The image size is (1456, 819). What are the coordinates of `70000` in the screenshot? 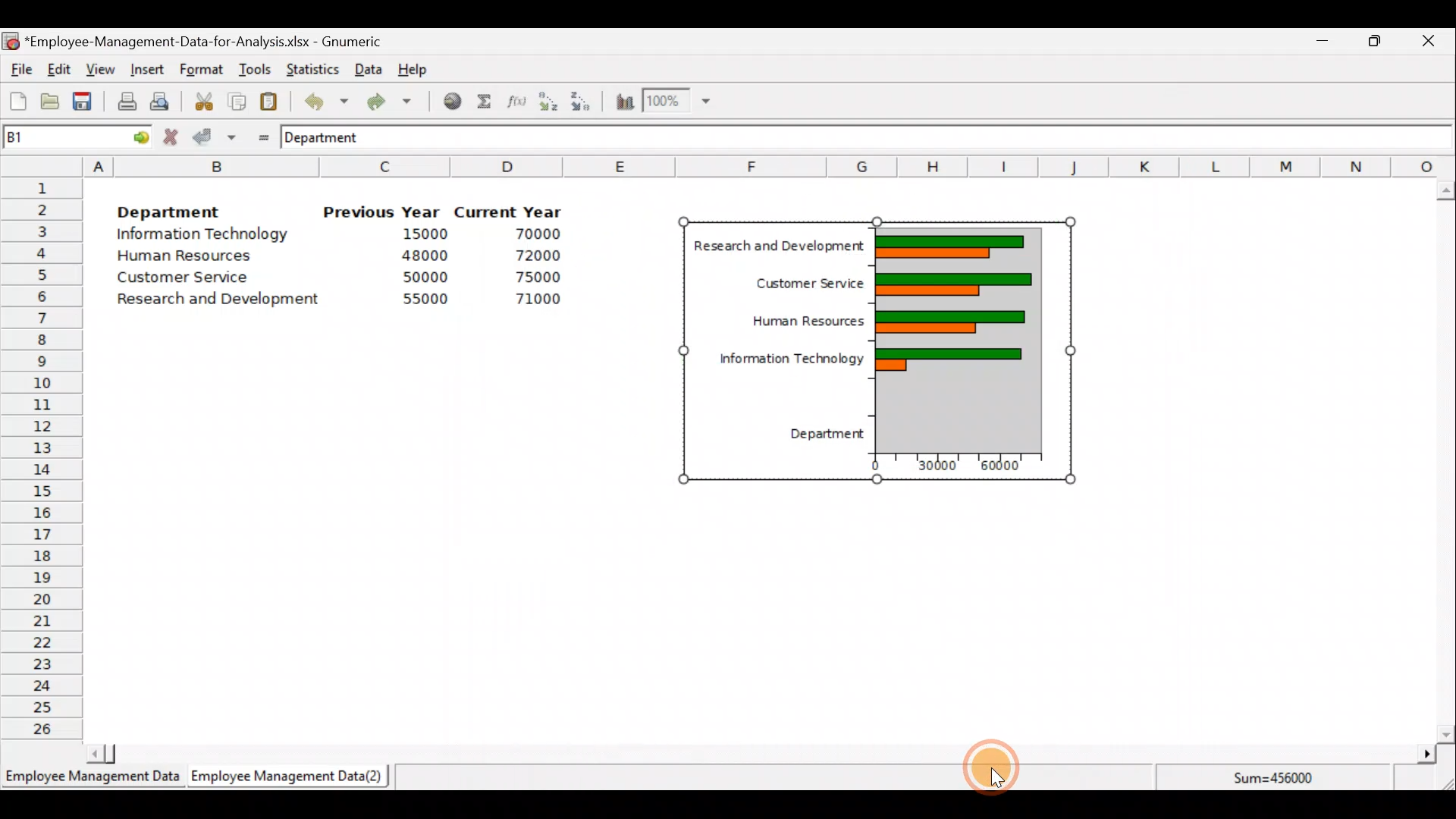 It's located at (532, 235).